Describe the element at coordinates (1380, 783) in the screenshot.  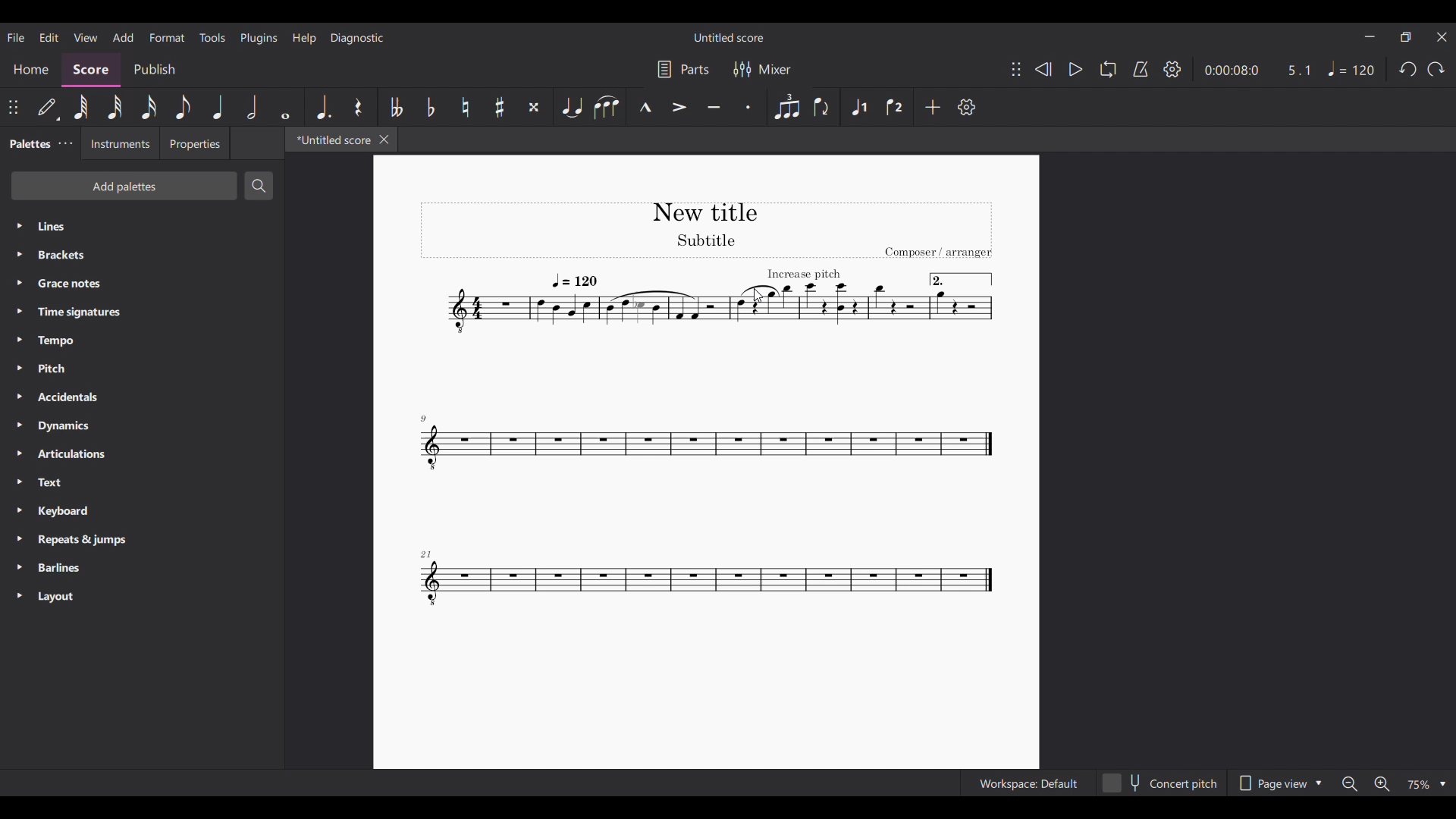
I see `Zoom in` at that location.